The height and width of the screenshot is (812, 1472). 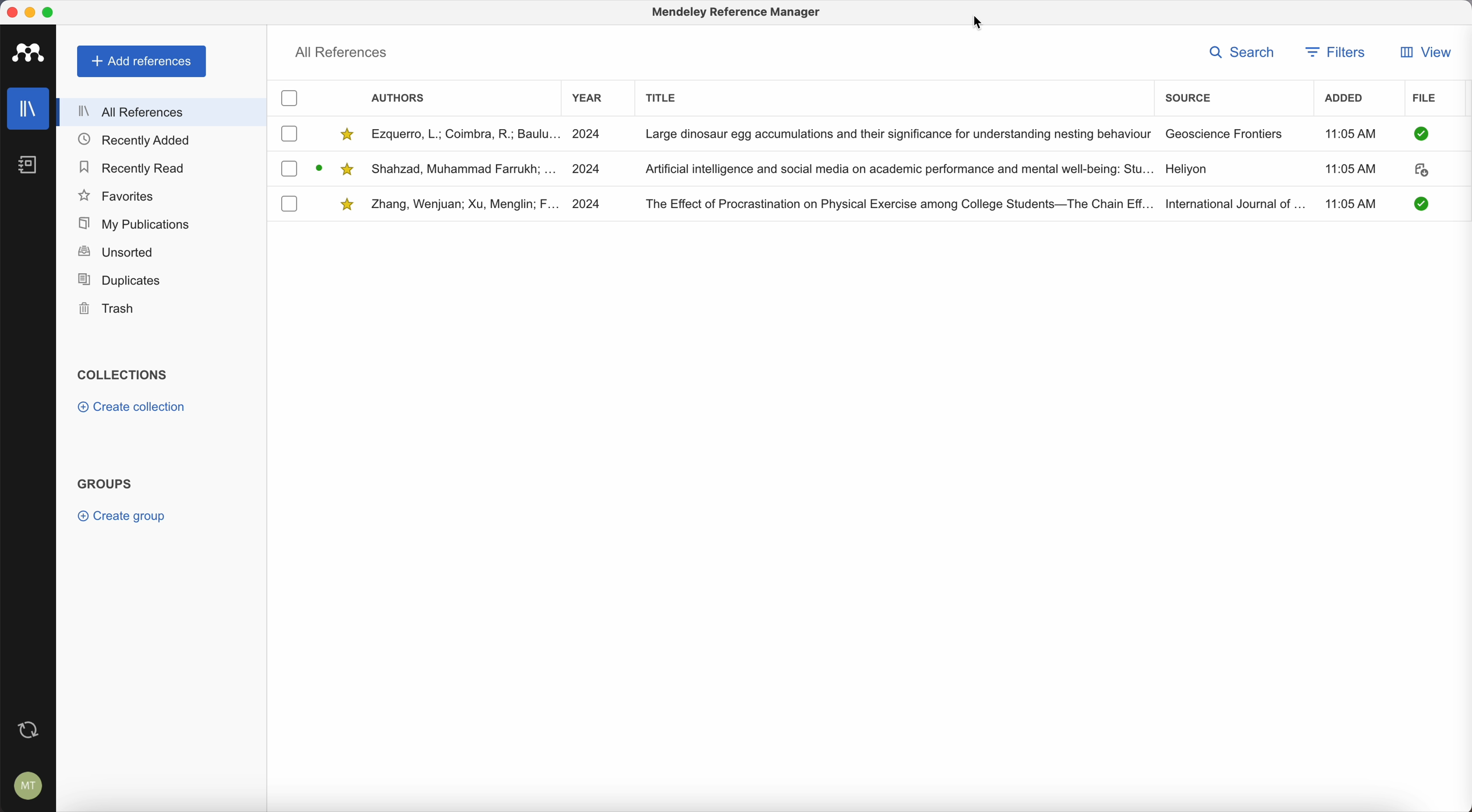 I want to click on close program, so click(x=11, y=12).